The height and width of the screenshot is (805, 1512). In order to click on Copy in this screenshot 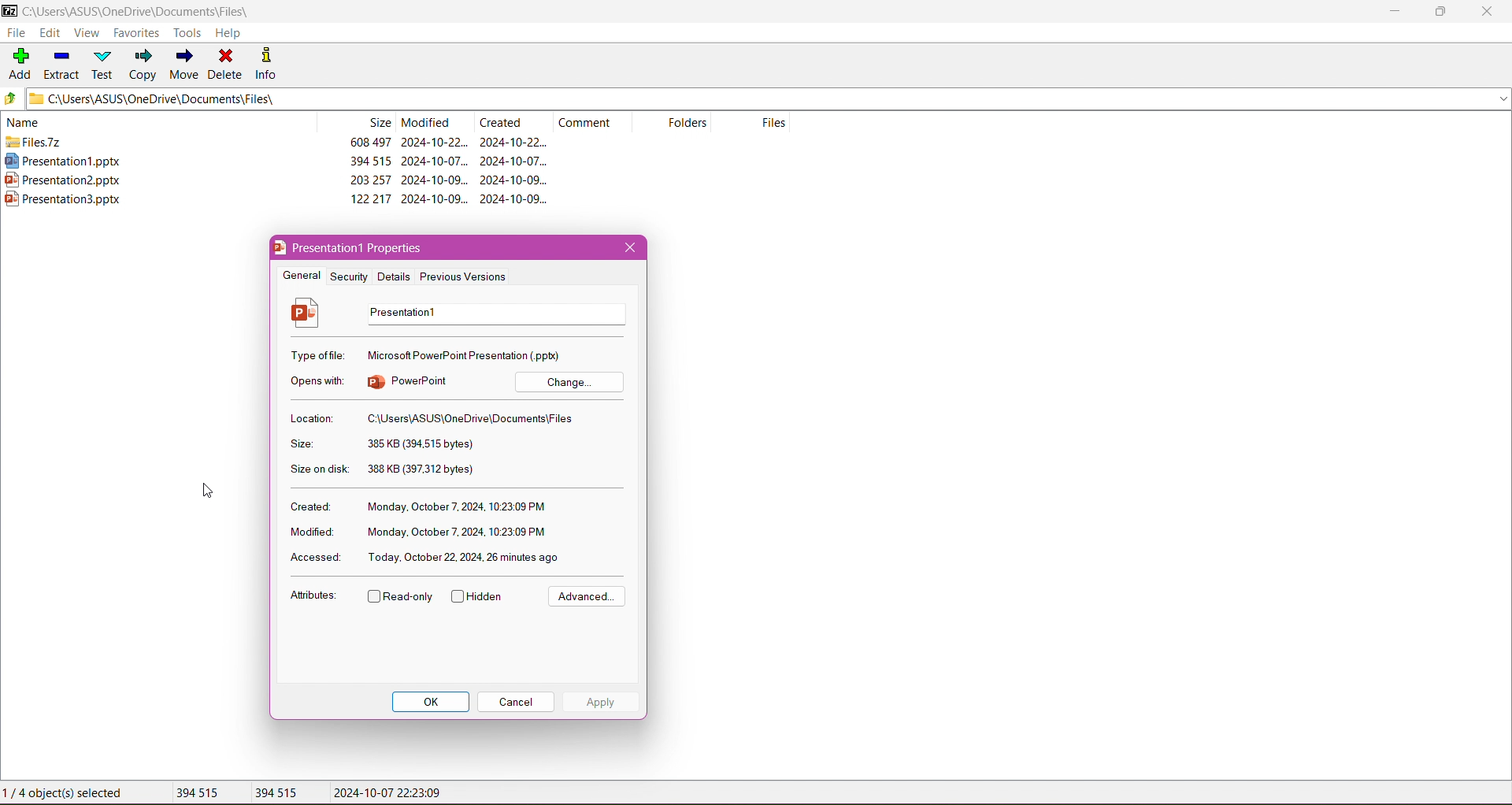, I will do `click(144, 65)`.